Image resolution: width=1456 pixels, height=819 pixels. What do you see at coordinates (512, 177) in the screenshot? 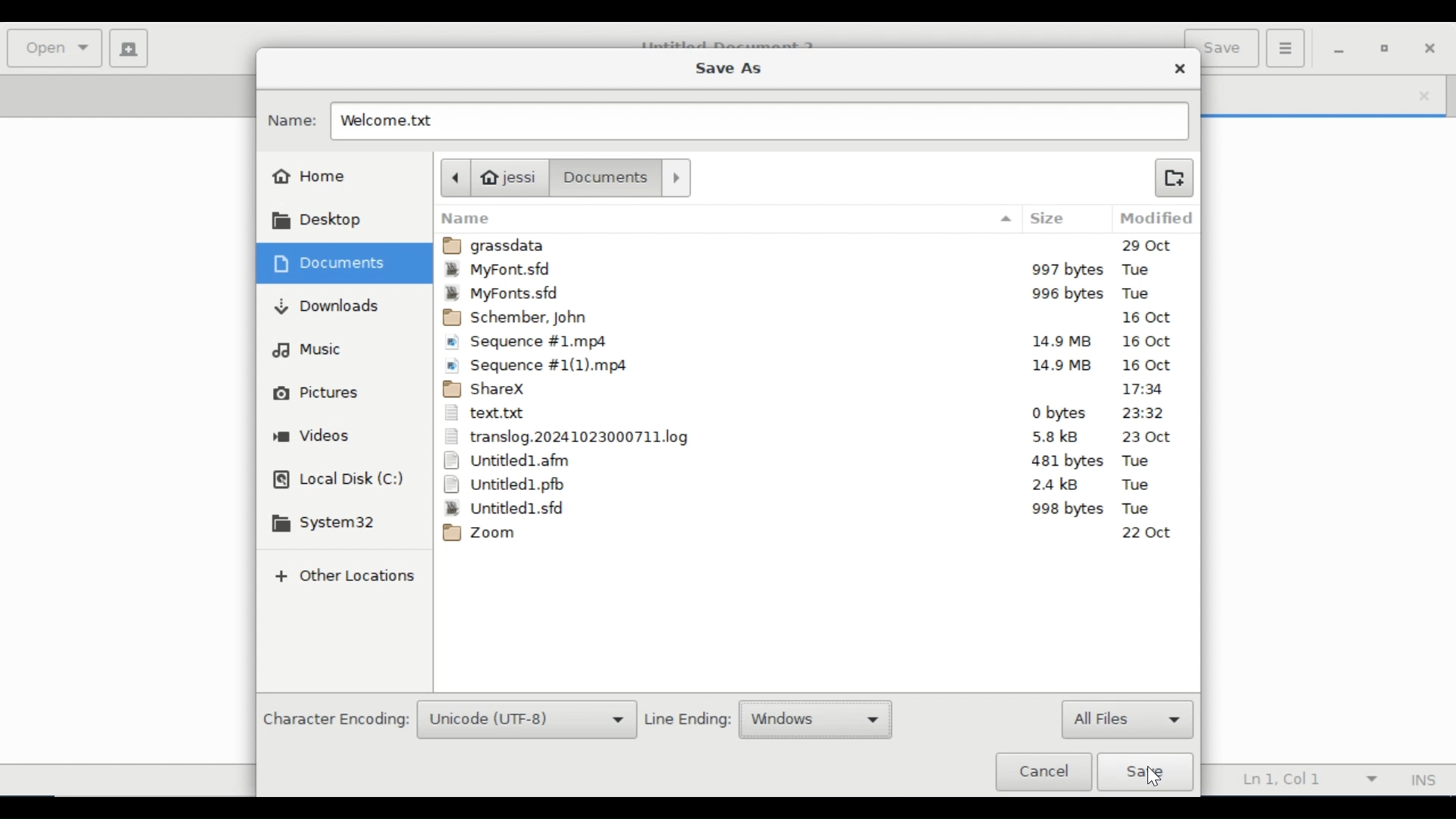
I see `jessi` at bounding box center [512, 177].